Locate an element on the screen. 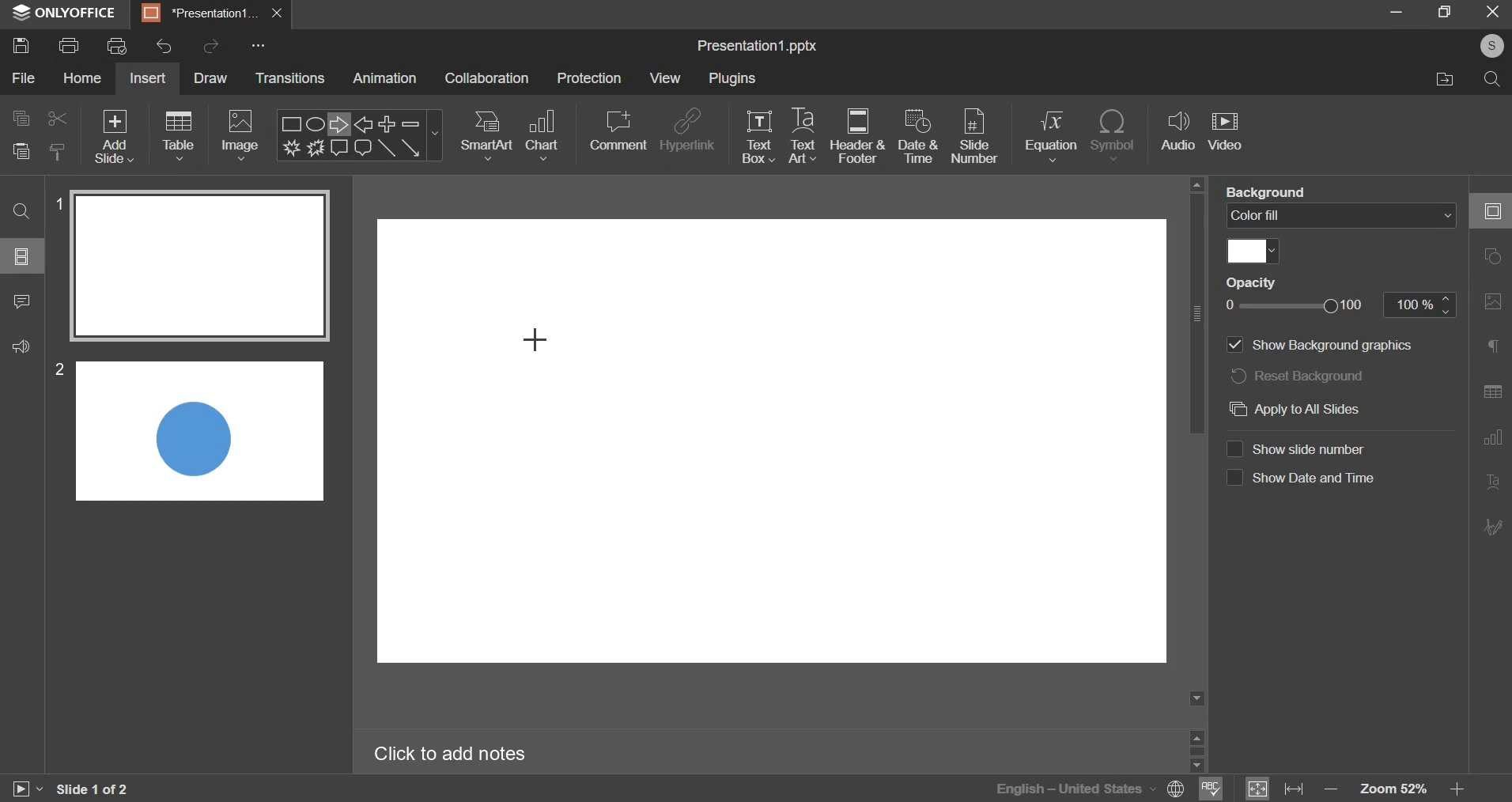 The image size is (1512, 802). add slide is located at coordinates (115, 136).